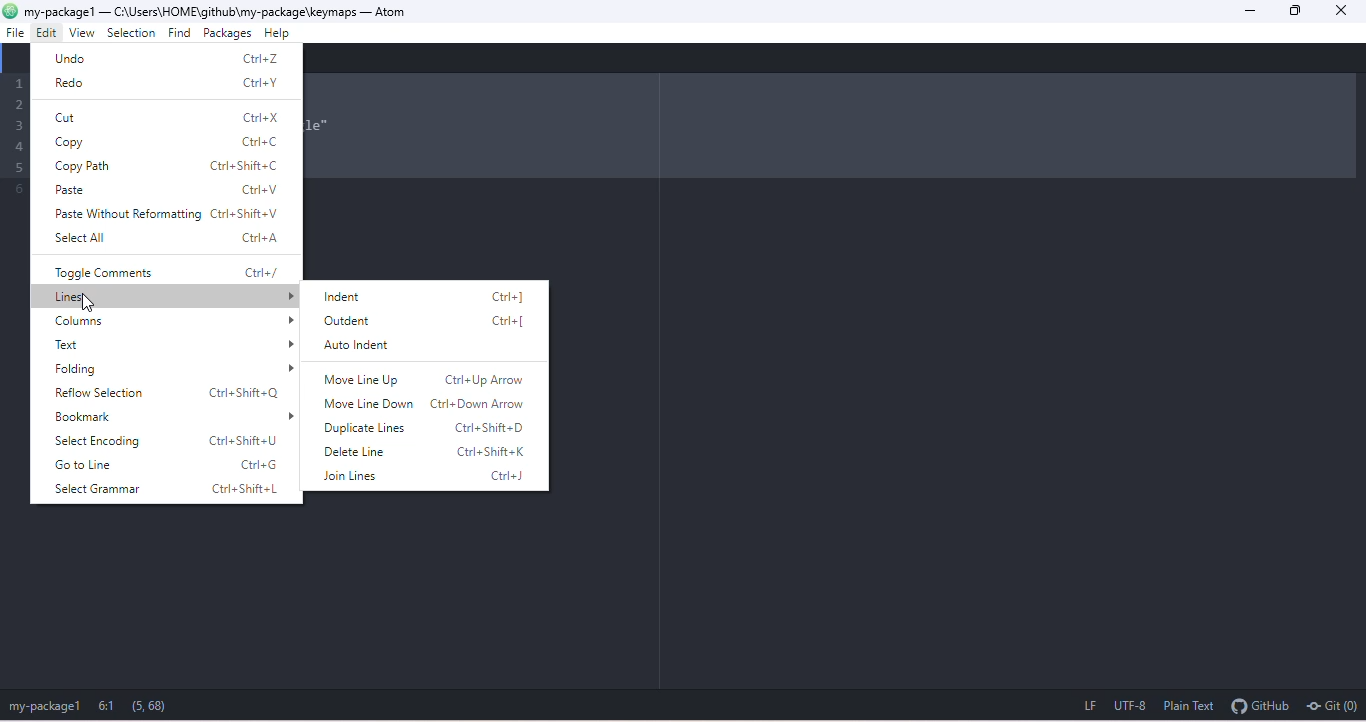 This screenshot has height=722, width=1366. I want to click on paste, so click(170, 188).